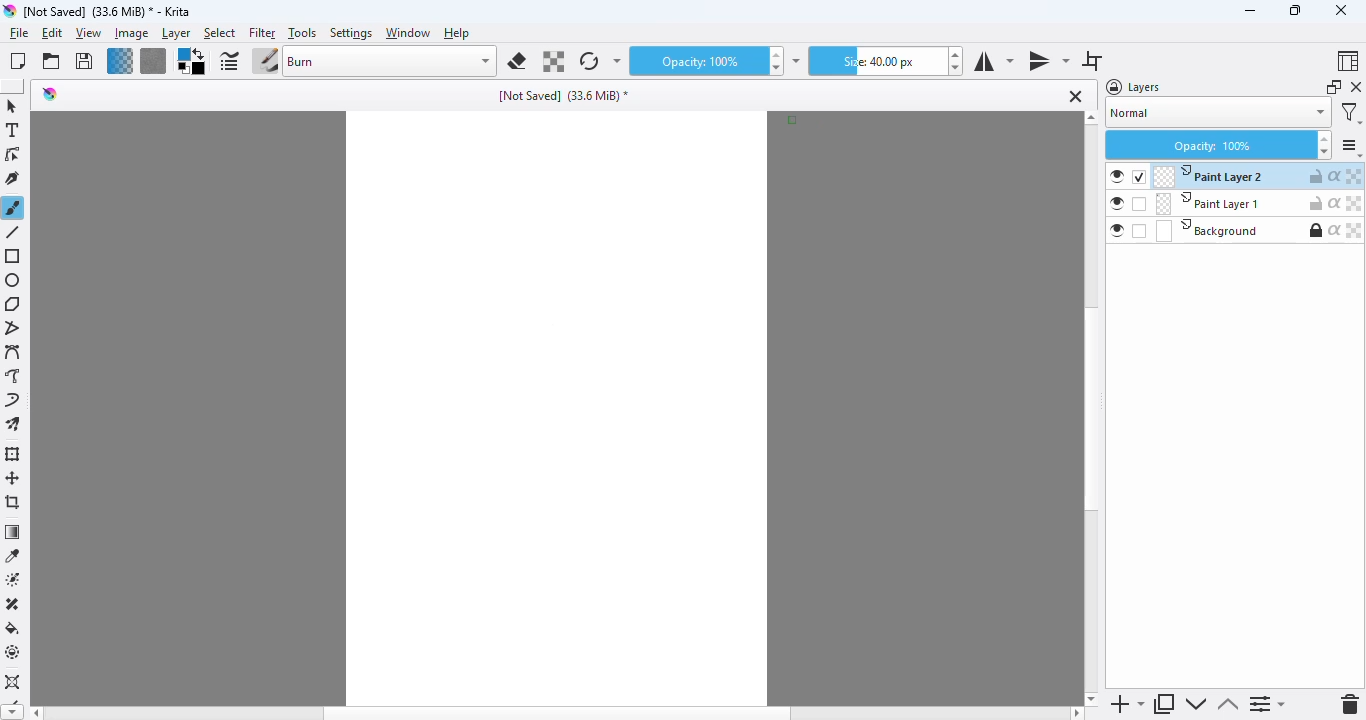 The width and height of the screenshot is (1366, 720). What do you see at coordinates (1194, 704) in the screenshot?
I see `move layer or mask down` at bounding box center [1194, 704].